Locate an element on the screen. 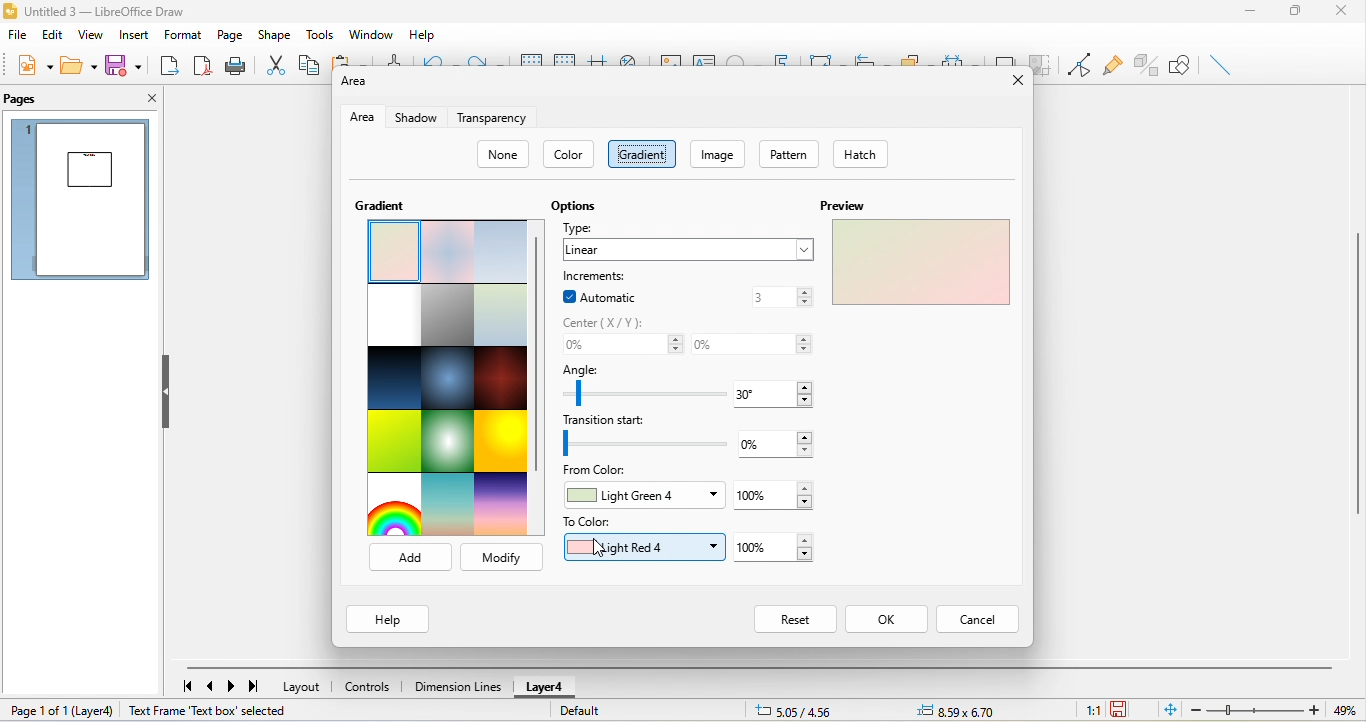 Image resolution: width=1366 pixels, height=722 pixels. transition-0% is located at coordinates (783, 442).